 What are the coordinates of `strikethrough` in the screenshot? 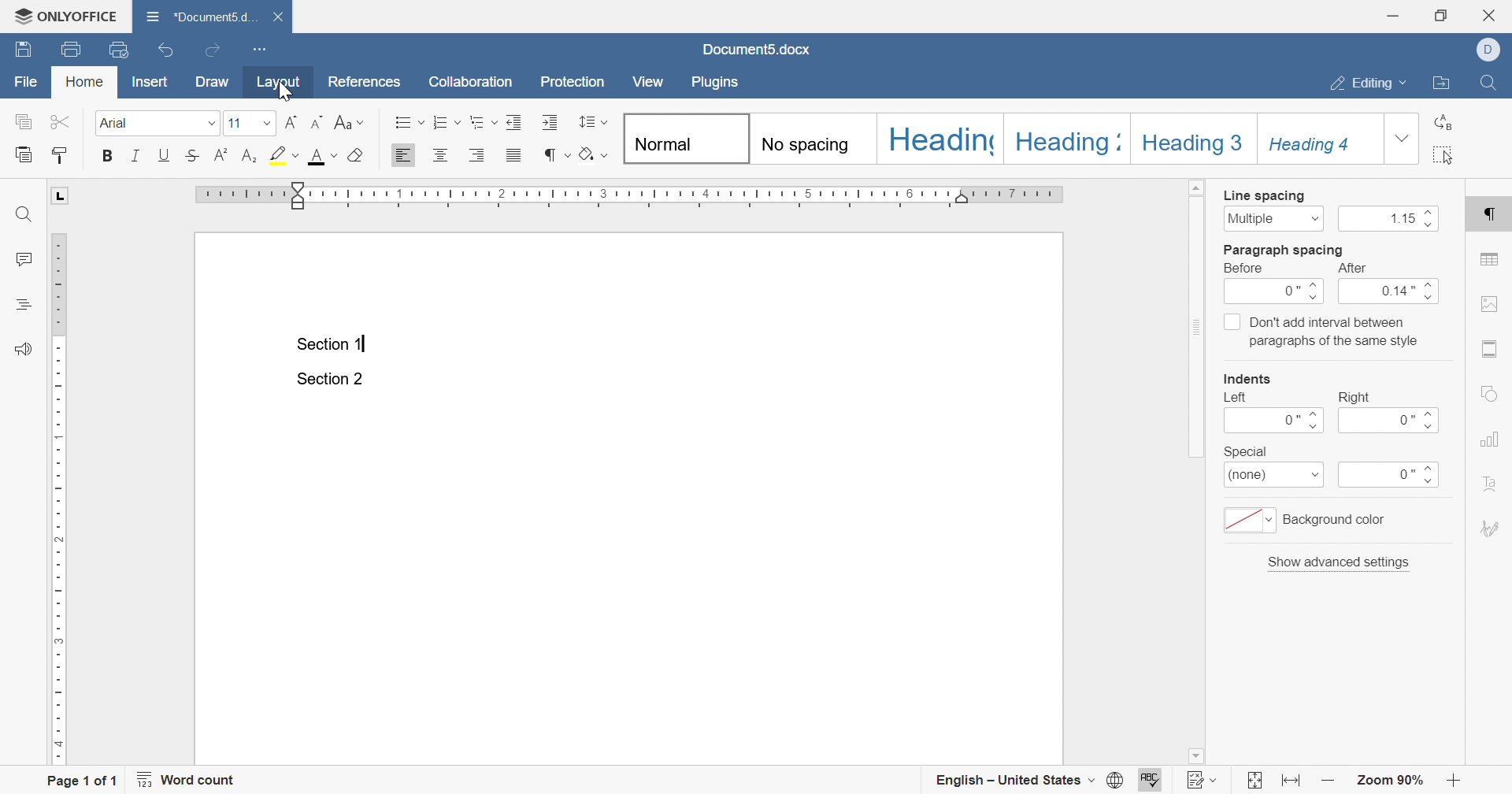 It's located at (194, 154).